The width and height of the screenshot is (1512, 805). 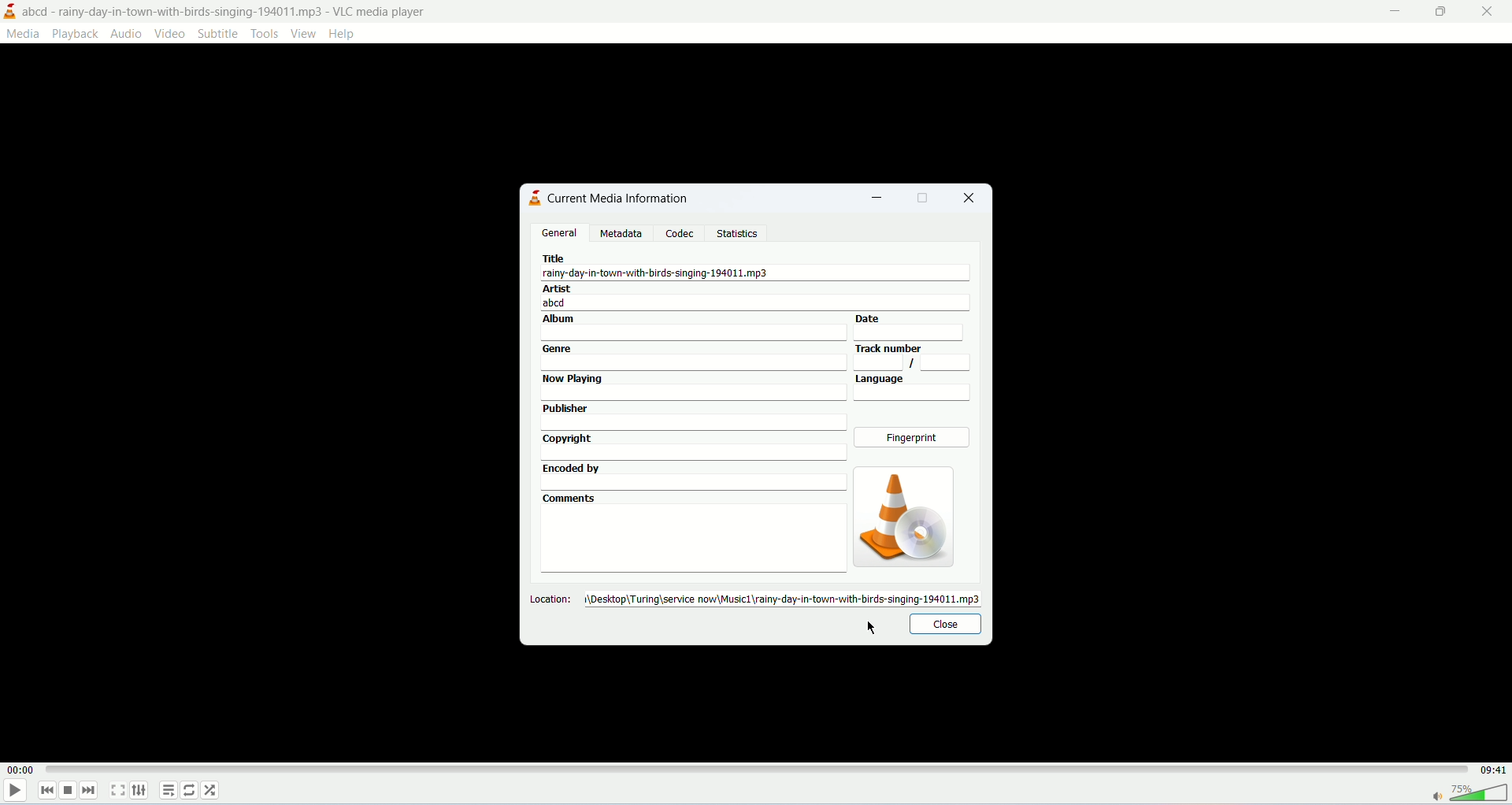 What do you see at coordinates (45, 790) in the screenshot?
I see `previous` at bounding box center [45, 790].